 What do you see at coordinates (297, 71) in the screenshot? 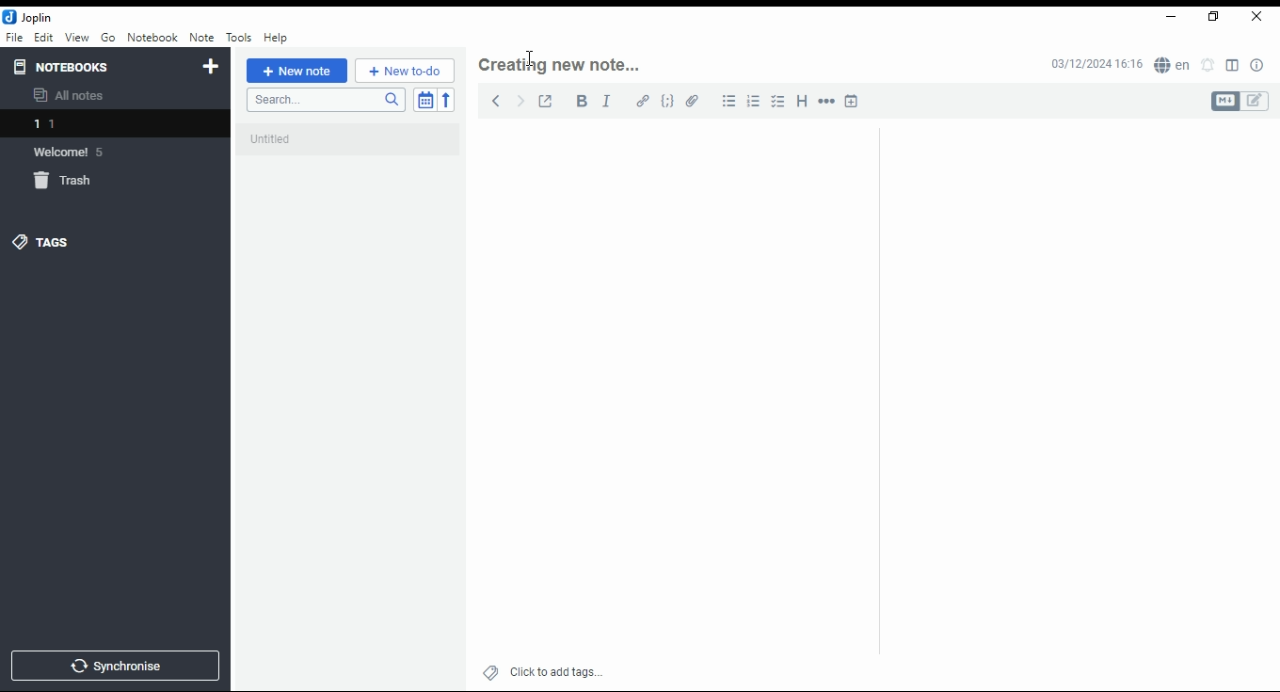
I see `new note` at bounding box center [297, 71].